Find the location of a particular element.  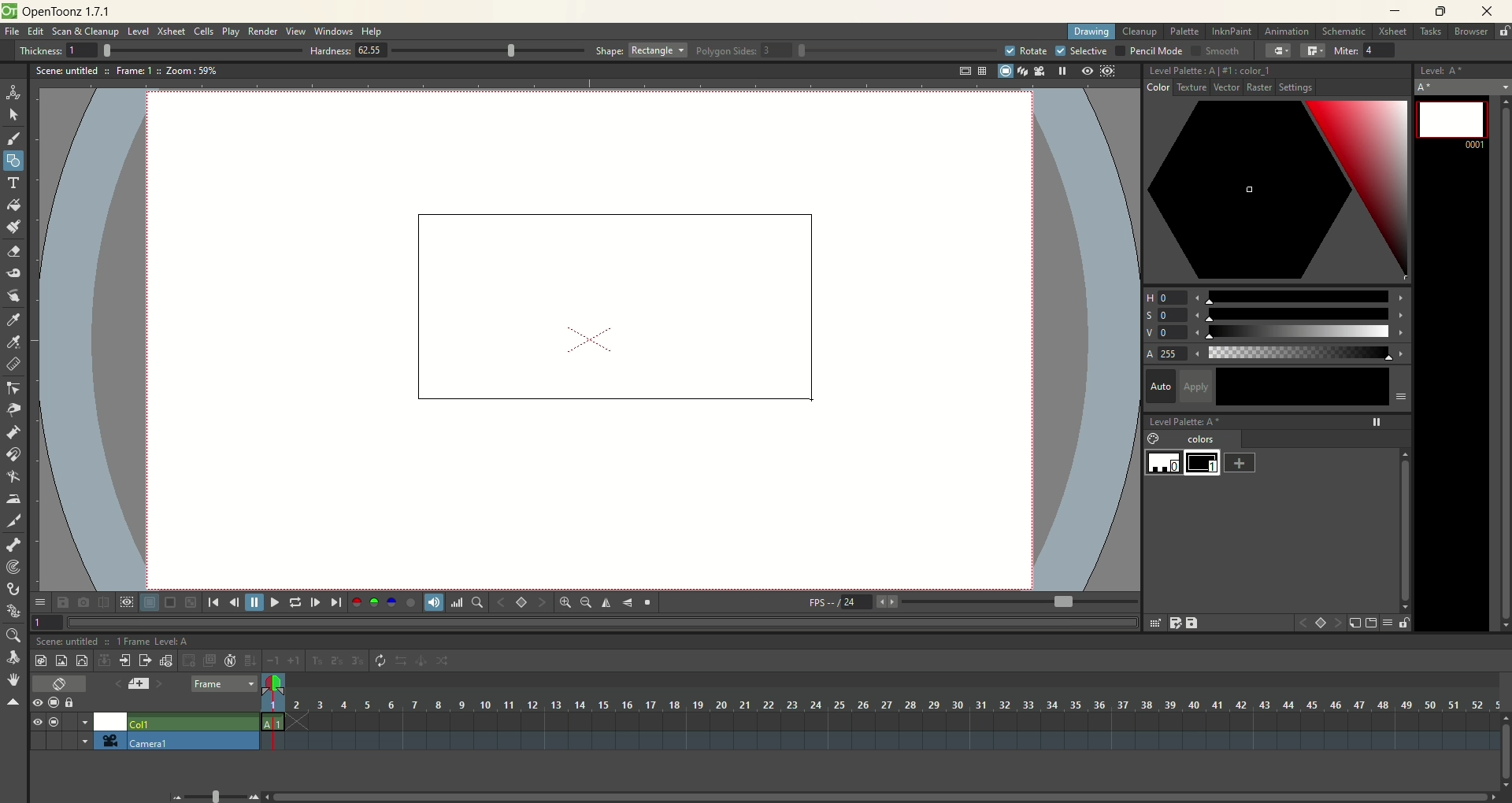

RGB picker is located at coordinates (15, 342).